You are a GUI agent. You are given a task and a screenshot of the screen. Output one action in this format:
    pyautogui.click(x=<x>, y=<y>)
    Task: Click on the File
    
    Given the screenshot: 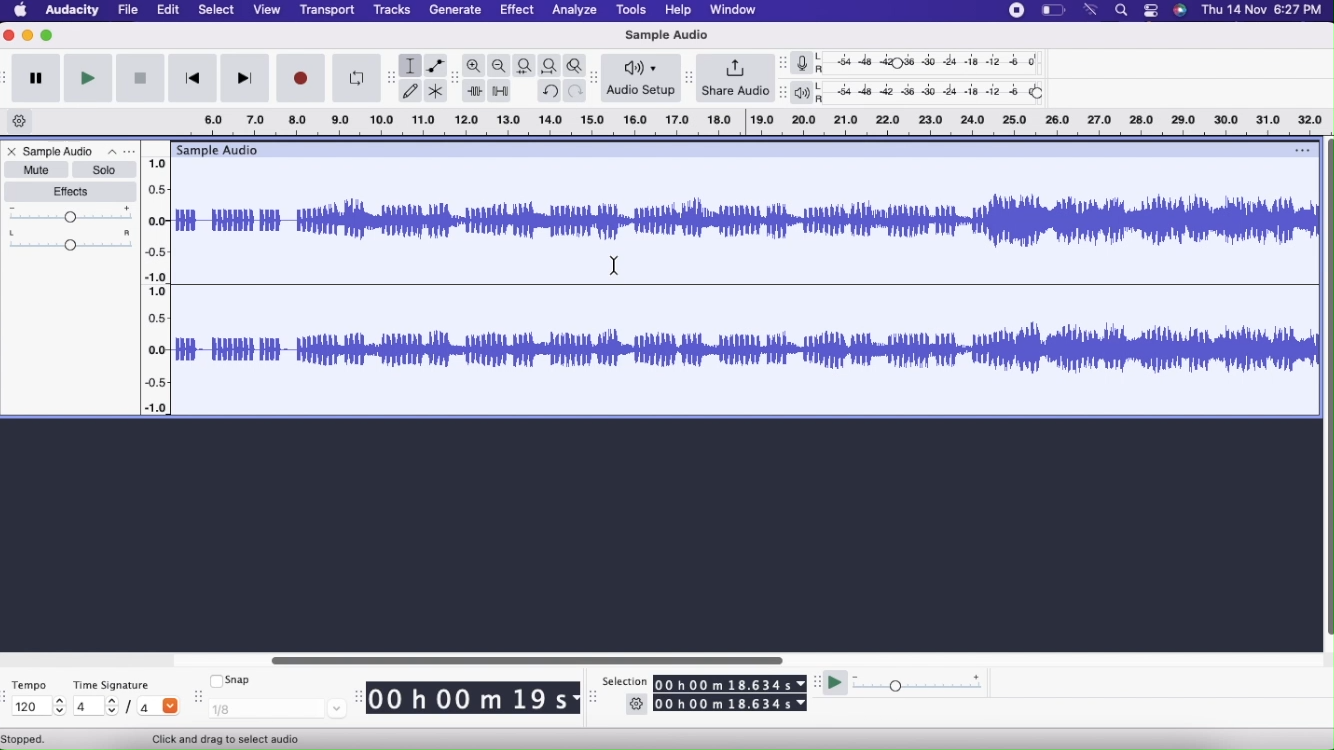 What is the action you would take?
    pyautogui.click(x=131, y=11)
    